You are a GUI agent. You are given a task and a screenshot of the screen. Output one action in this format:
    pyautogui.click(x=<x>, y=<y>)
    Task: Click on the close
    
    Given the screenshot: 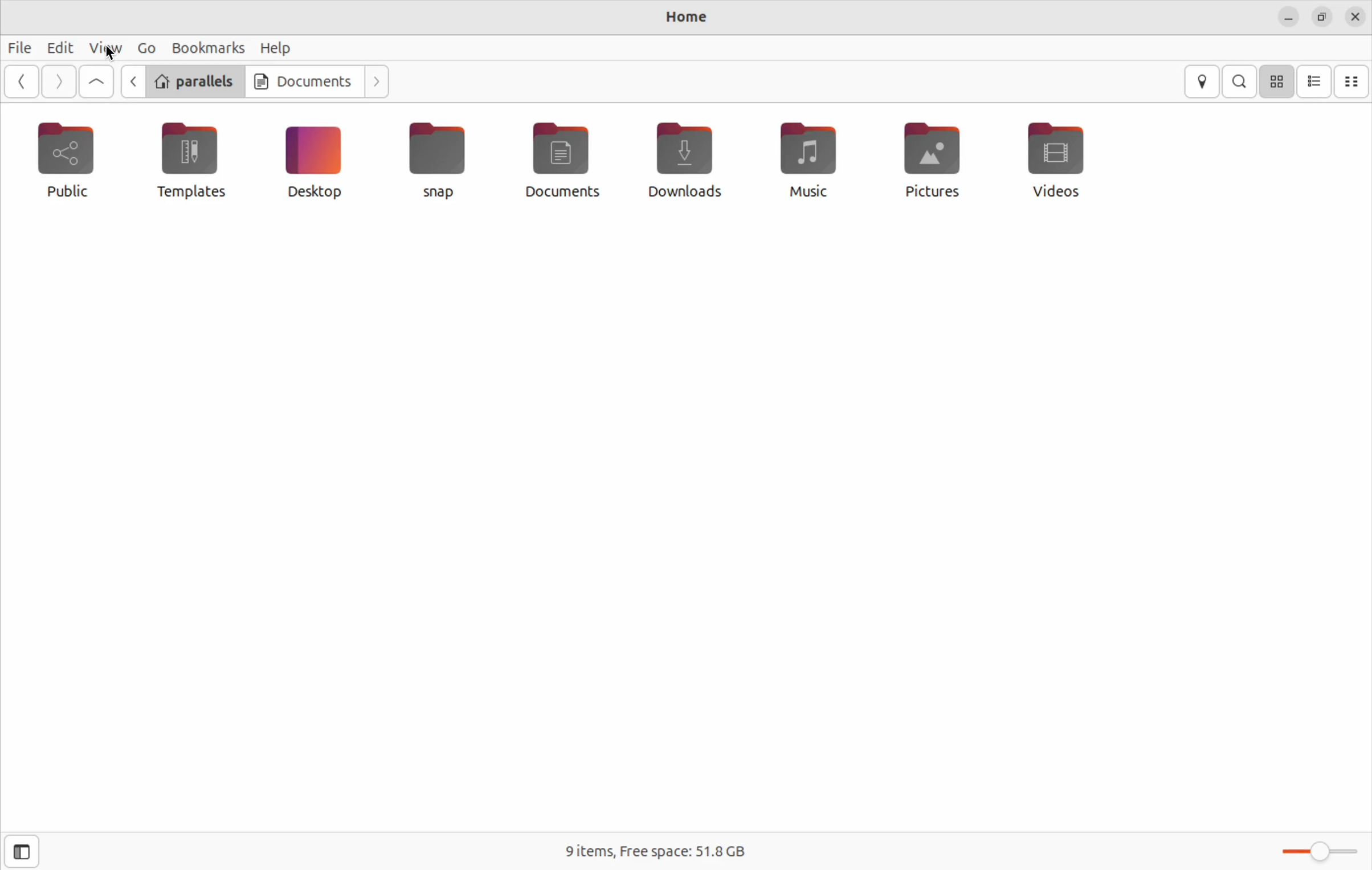 What is the action you would take?
    pyautogui.click(x=1357, y=15)
    